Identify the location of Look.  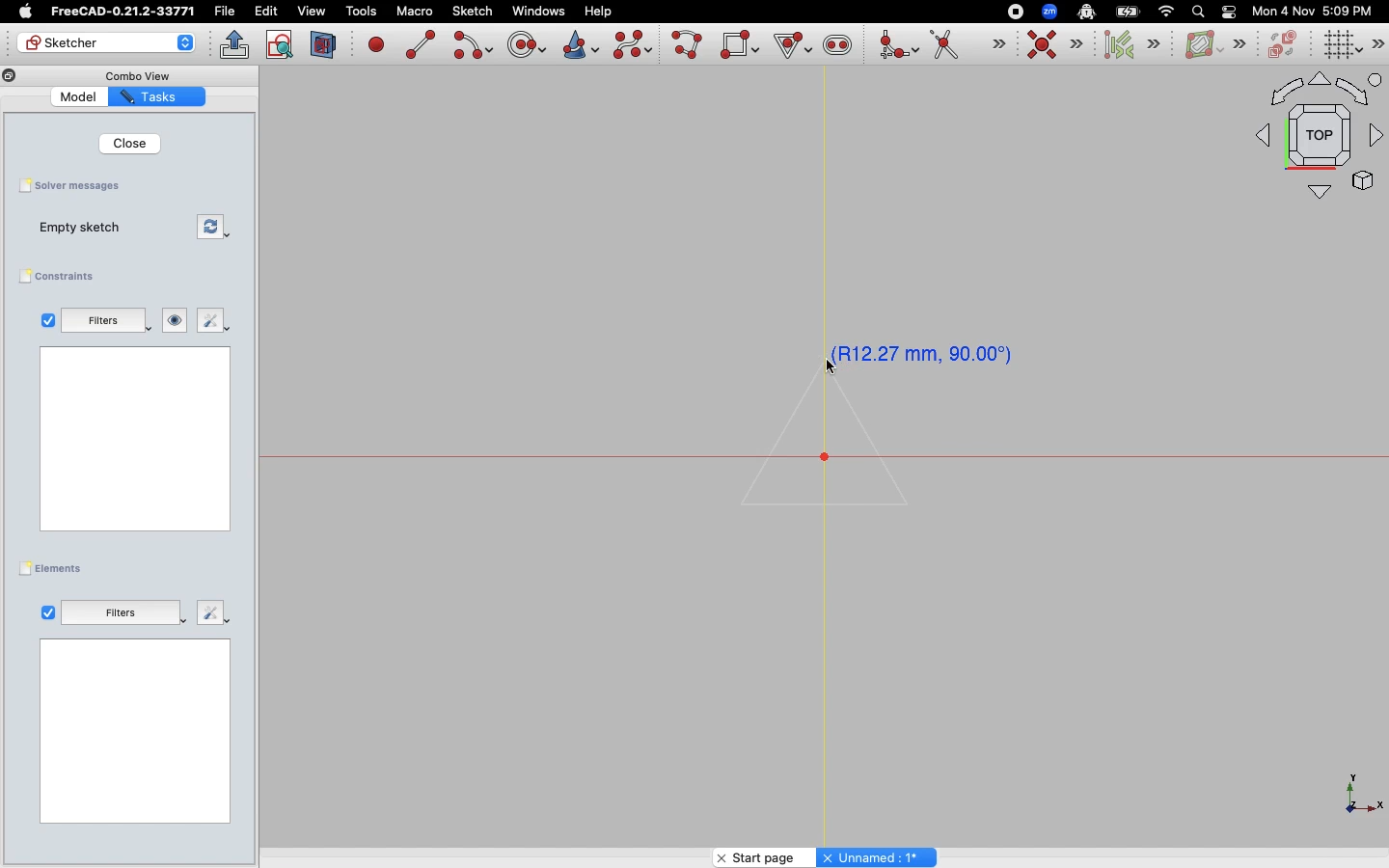
(176, 320).